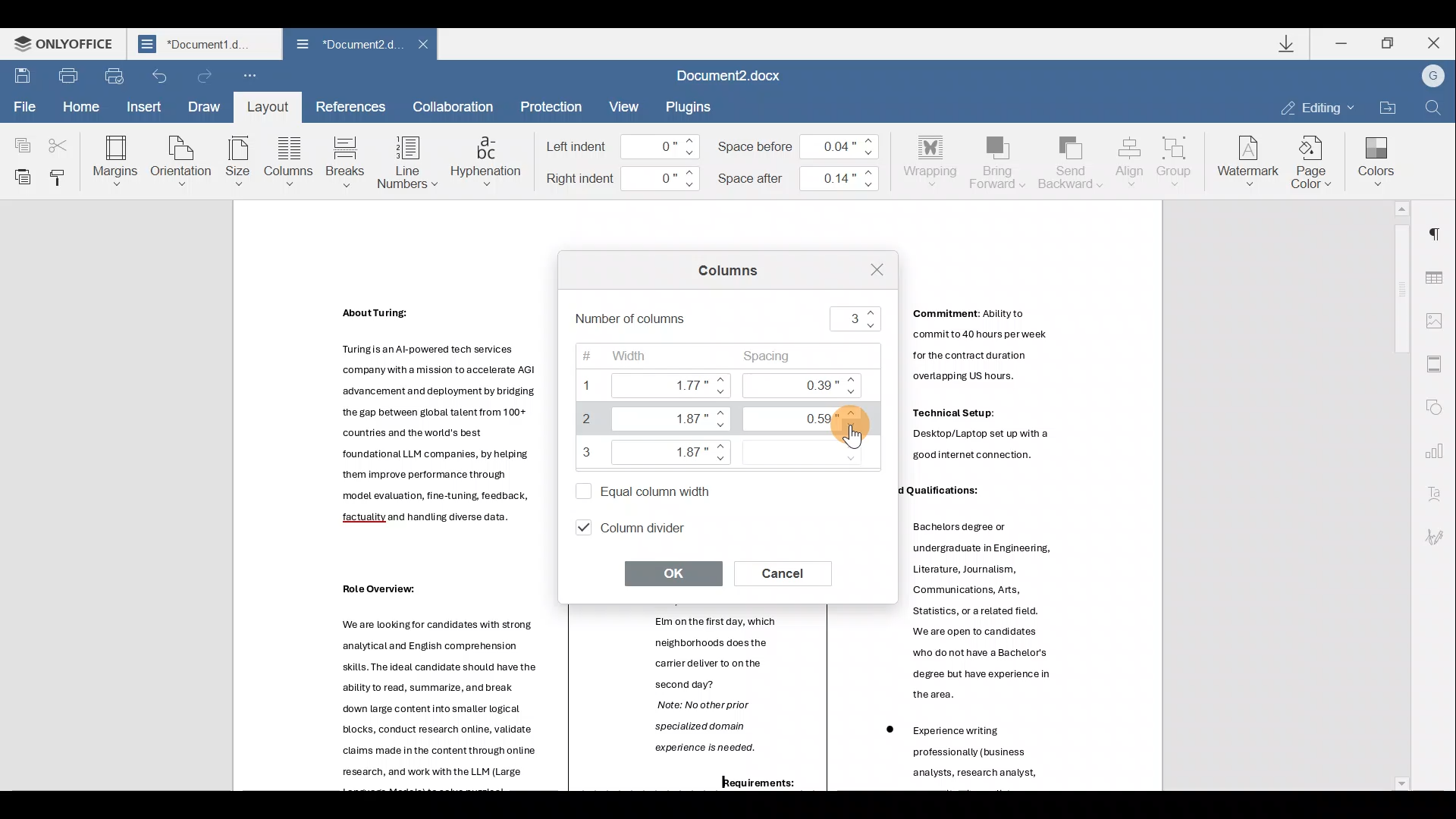 This screenshot has height=819, width=1456. Describe the element at coordinates (1438, 368) in the screenshot. I see `Header & footer settings` at that location.